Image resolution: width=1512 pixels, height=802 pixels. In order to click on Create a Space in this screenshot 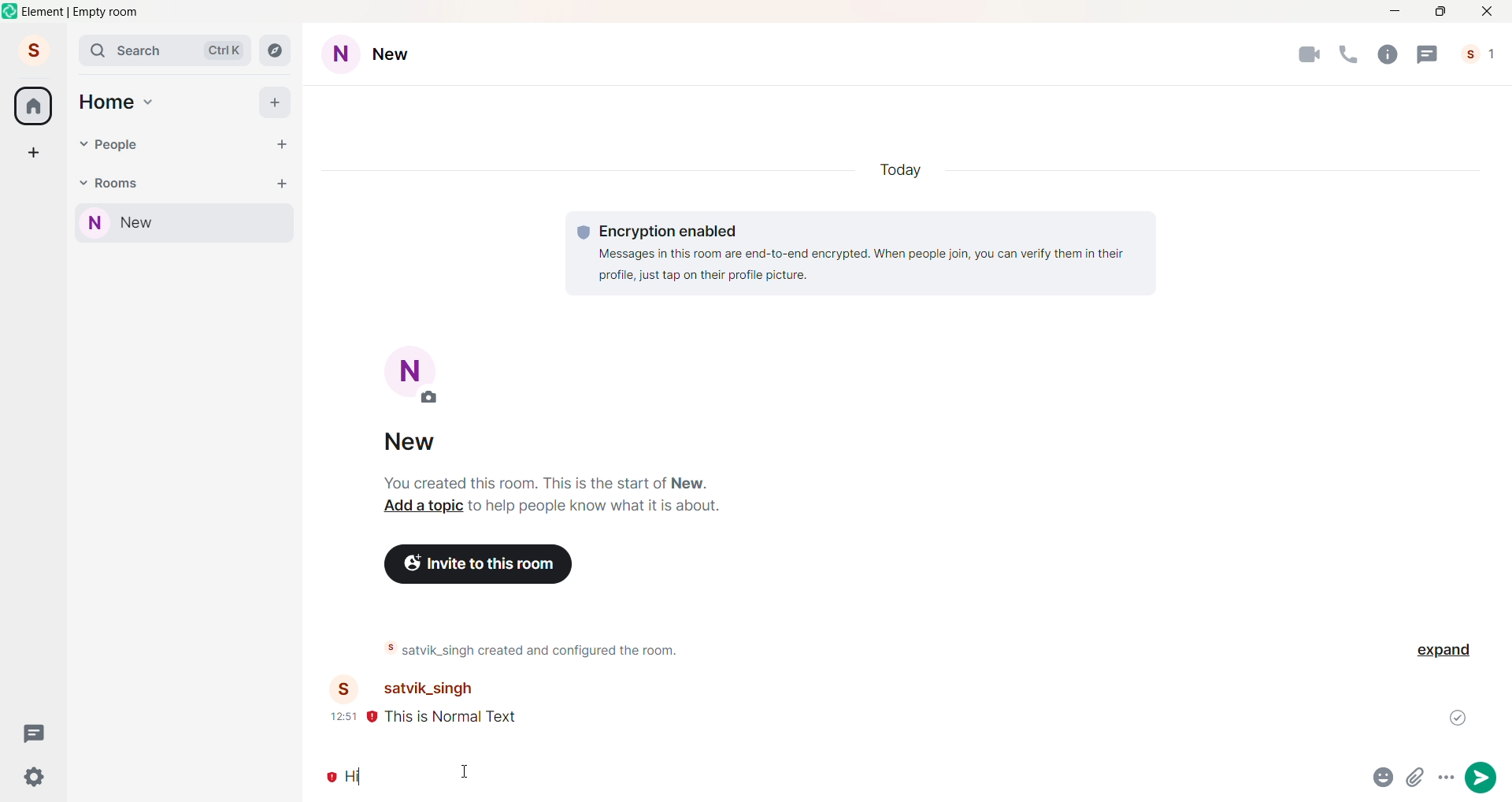, I will do `click(34, 152)`.